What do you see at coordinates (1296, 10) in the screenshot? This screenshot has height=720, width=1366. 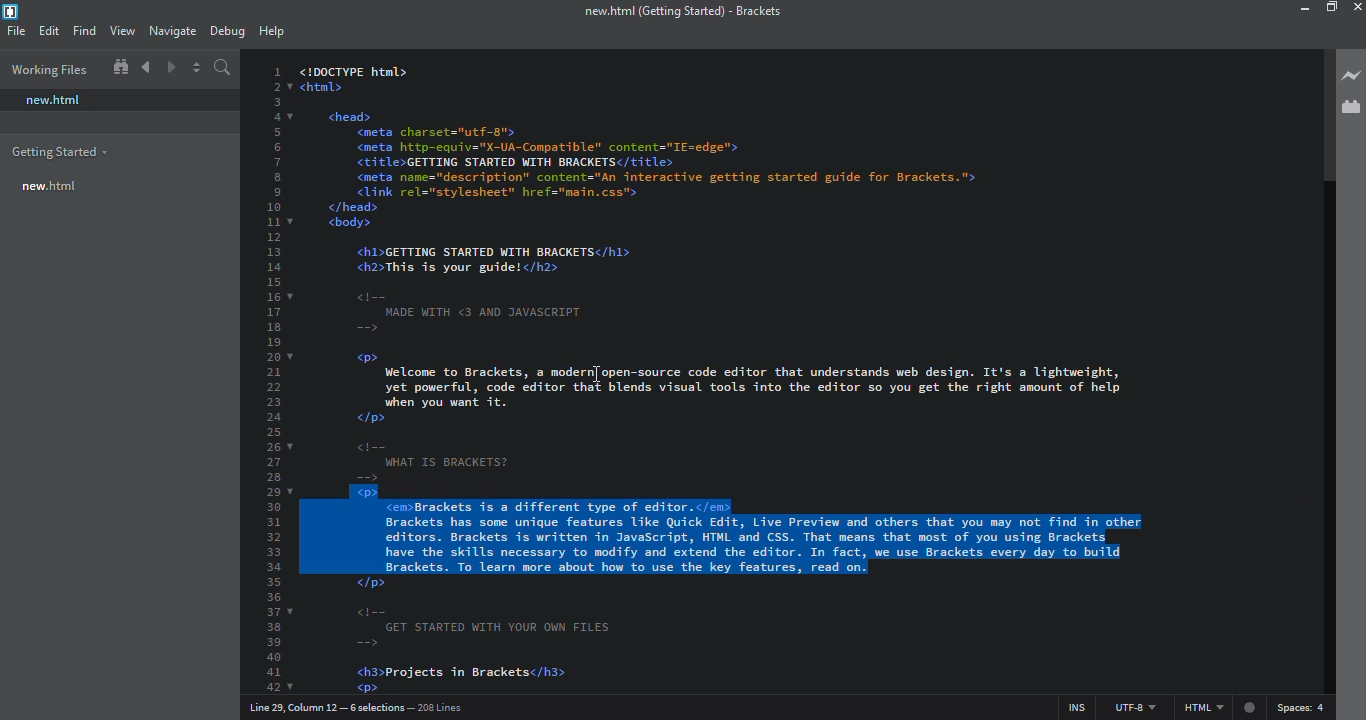 I see `minimize` at bounding box center [1296, 10].